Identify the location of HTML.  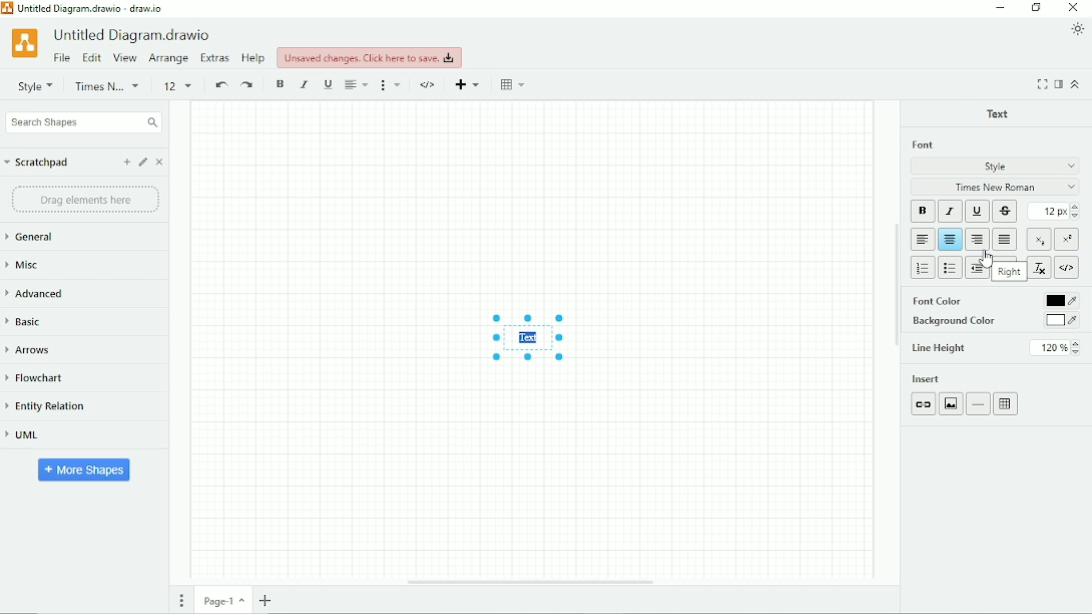
(428, 85).